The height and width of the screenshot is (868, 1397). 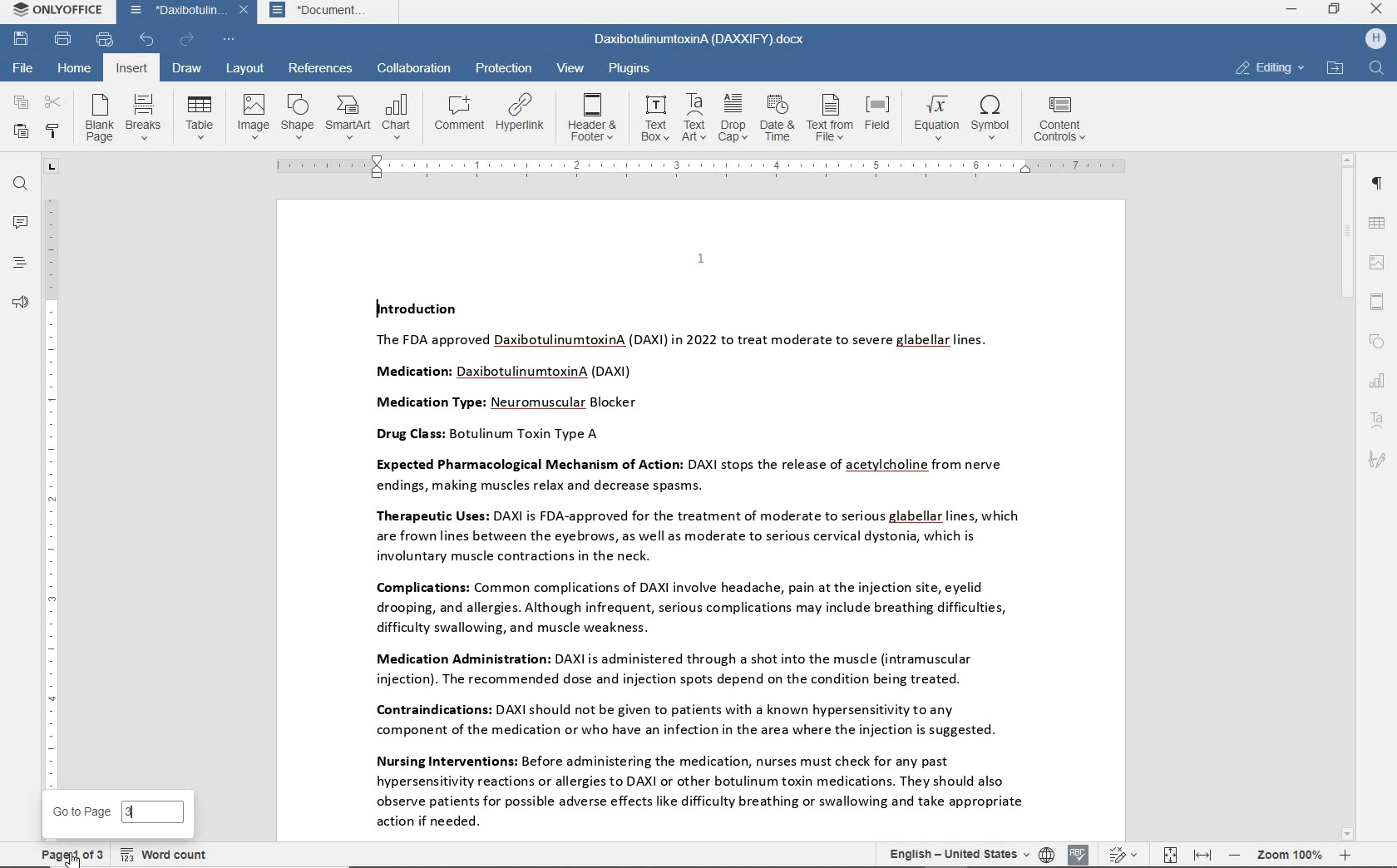 I want to click on find, so click(x=1378, y=69).